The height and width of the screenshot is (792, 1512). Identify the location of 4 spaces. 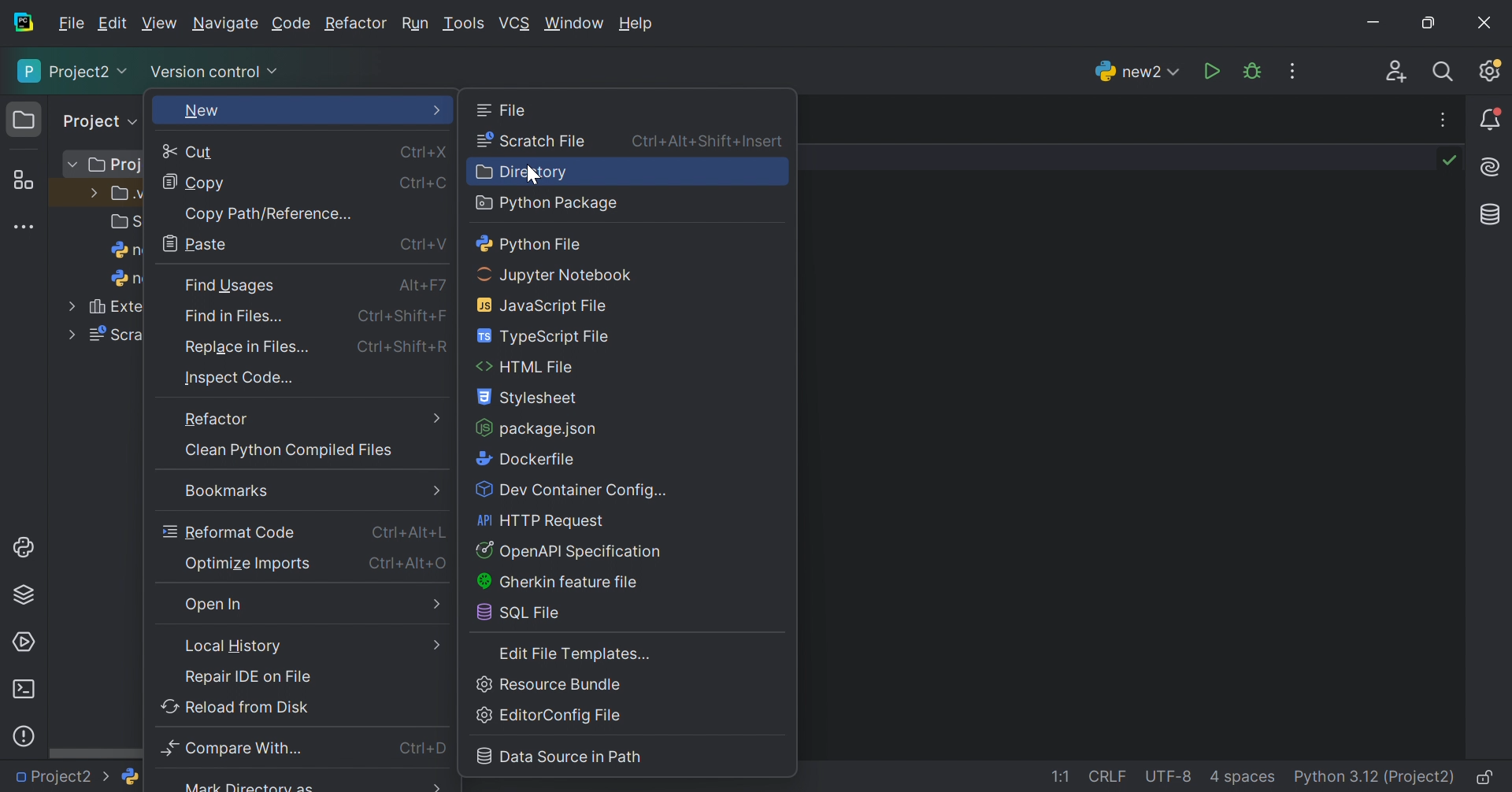
(1243, 775).